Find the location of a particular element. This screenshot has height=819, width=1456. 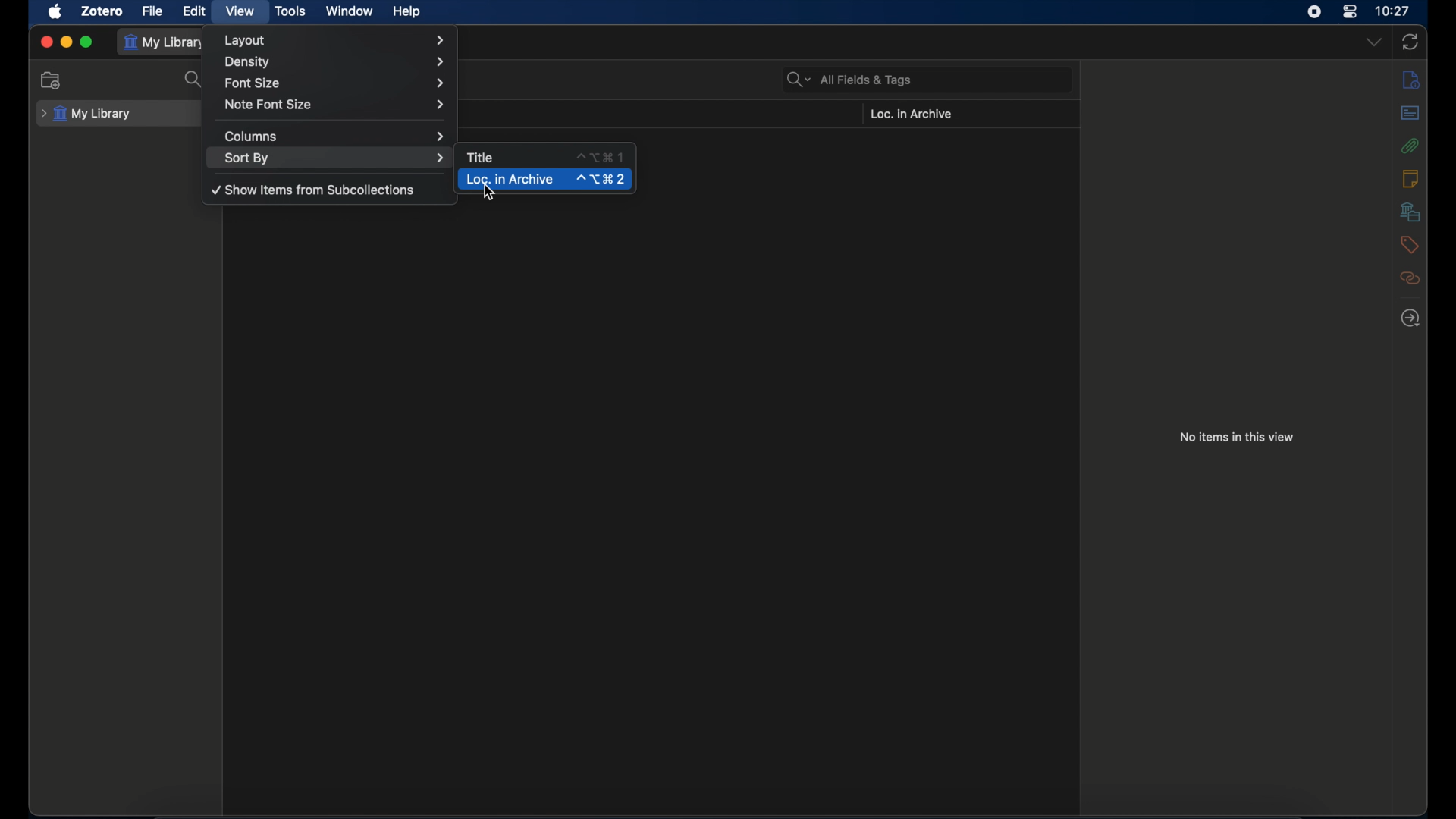

font size is located at coordinates (336, 83).